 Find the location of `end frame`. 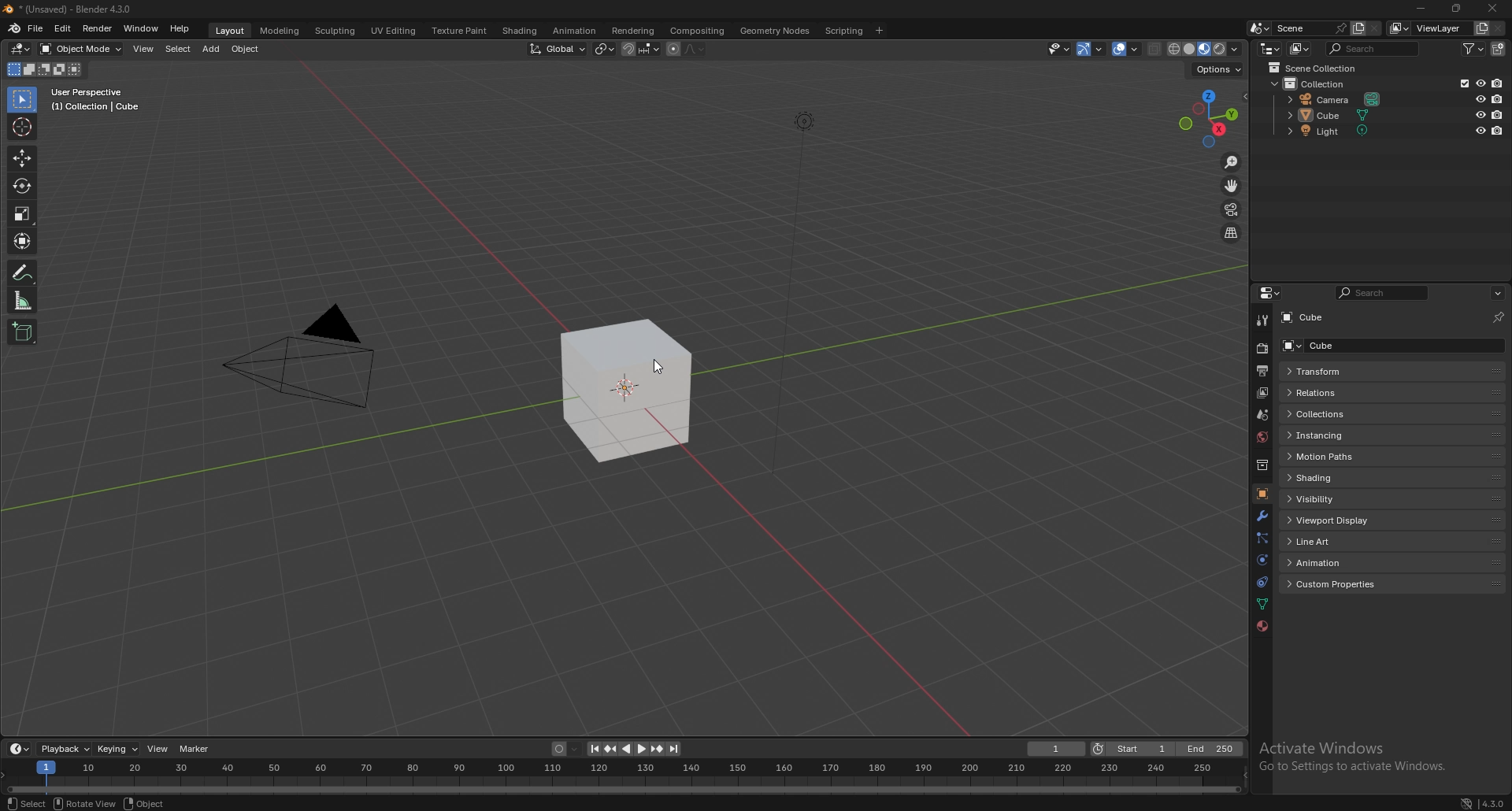

end frame is located at coordinates (1209, 749).